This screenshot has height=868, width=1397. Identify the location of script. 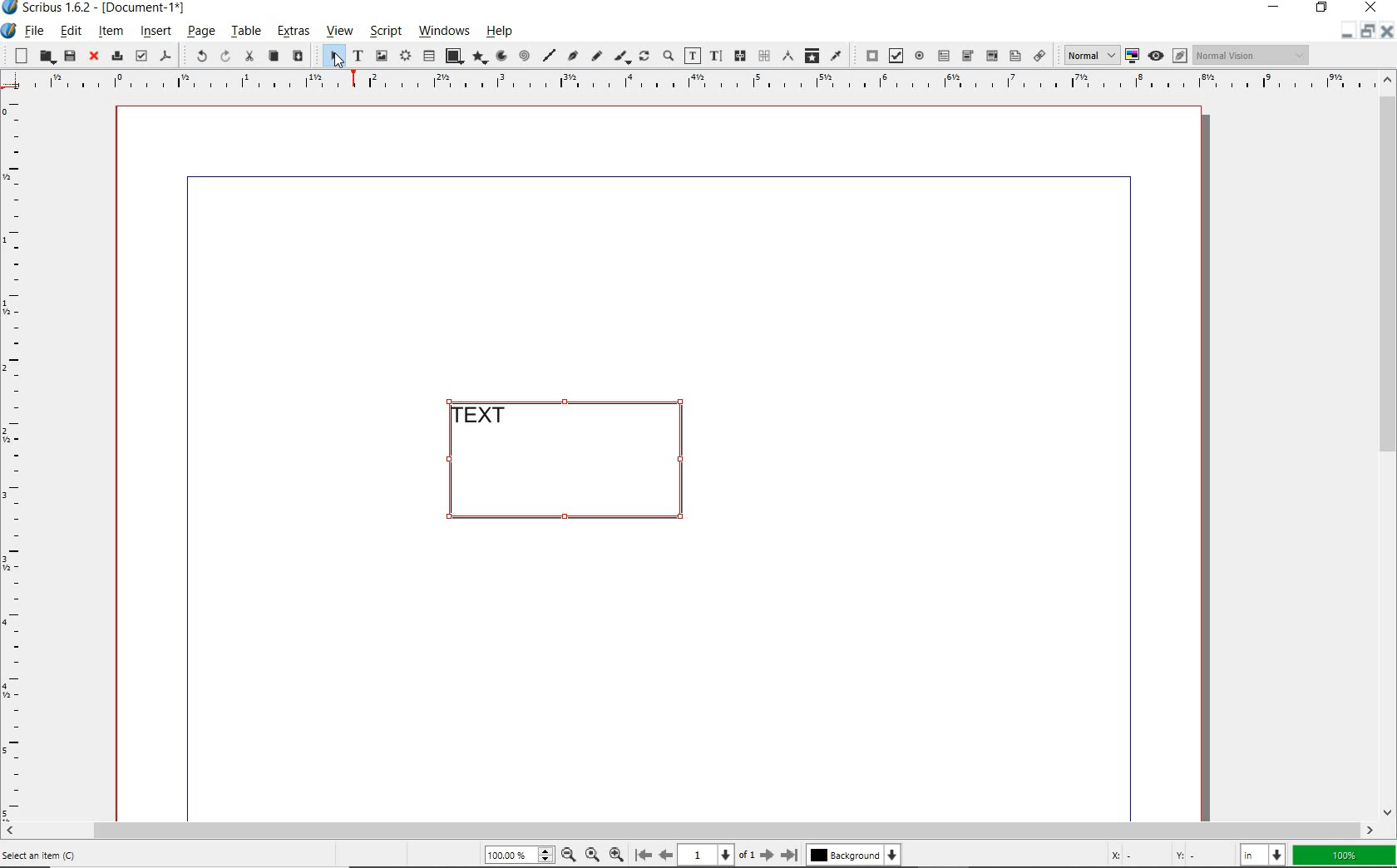
(385, 30).